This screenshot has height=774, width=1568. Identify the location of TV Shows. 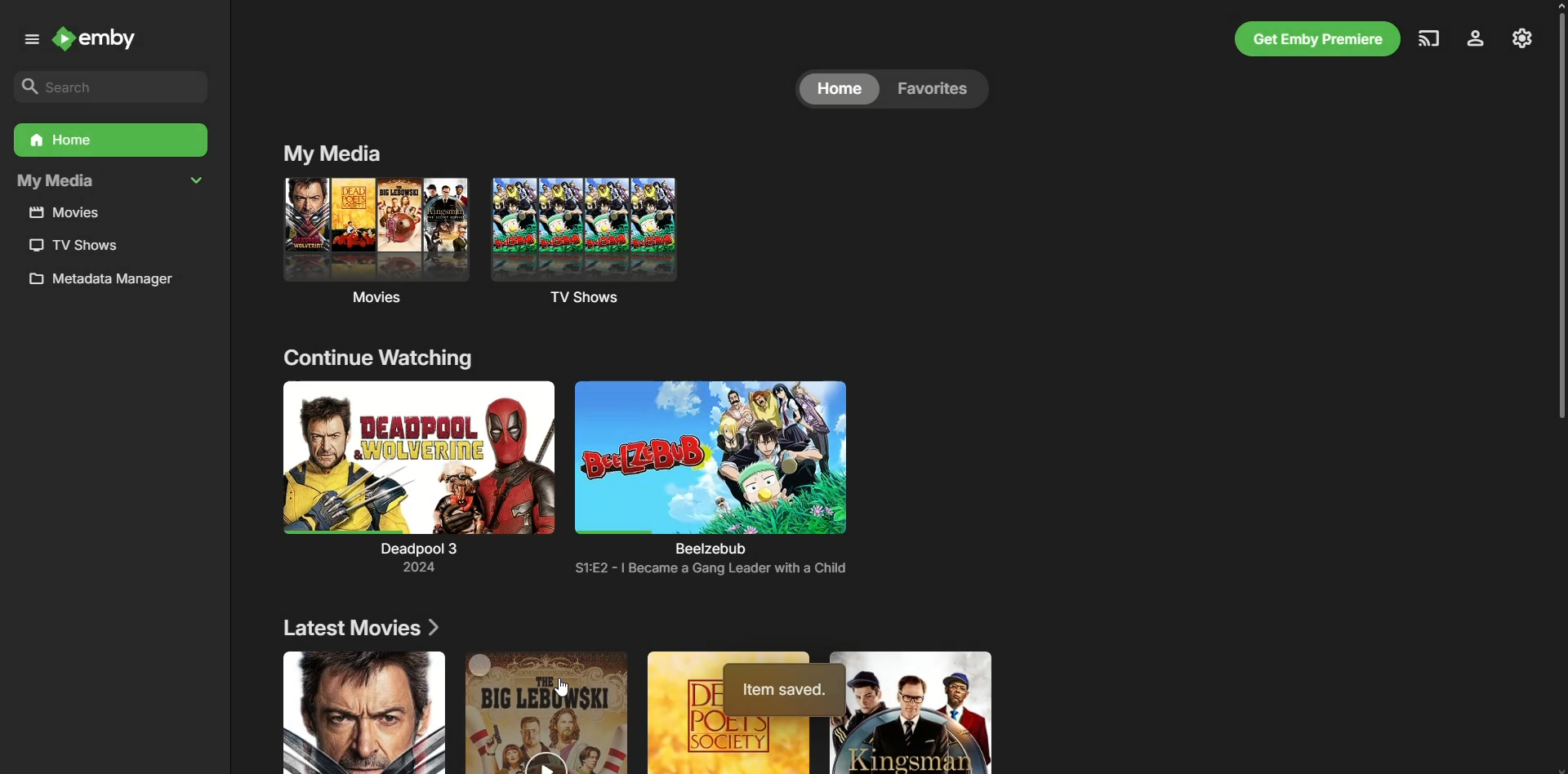
(71, 245).